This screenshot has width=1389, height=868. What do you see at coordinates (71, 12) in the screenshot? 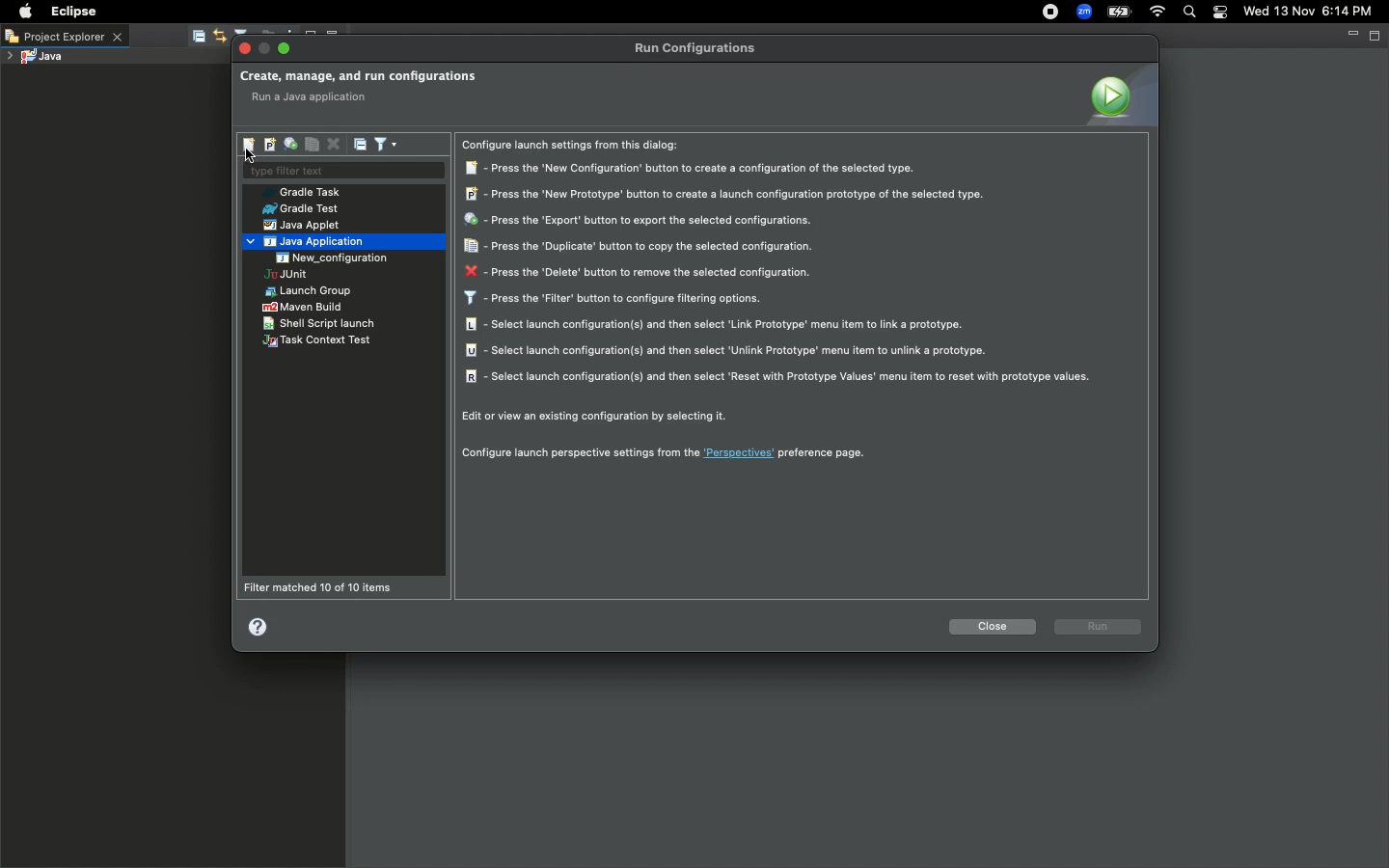
I see `Eclipse` at bounding box center [71, 12].